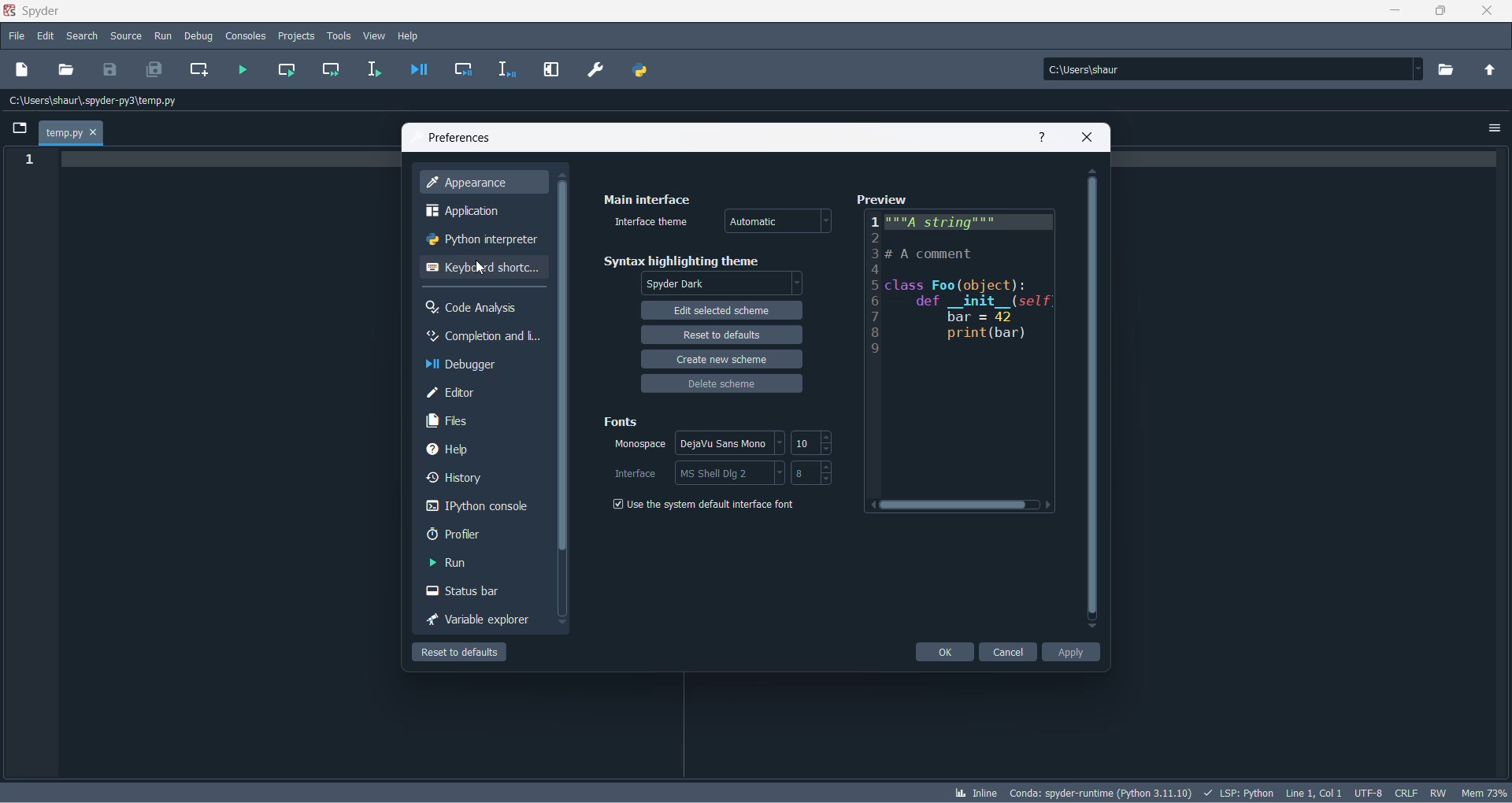 This screenshot has height=803, width=1512. What do you see at coordinates (480, 269) in the screenshot?
I see `keyboard shortcut` at bounding box center [480, 269].